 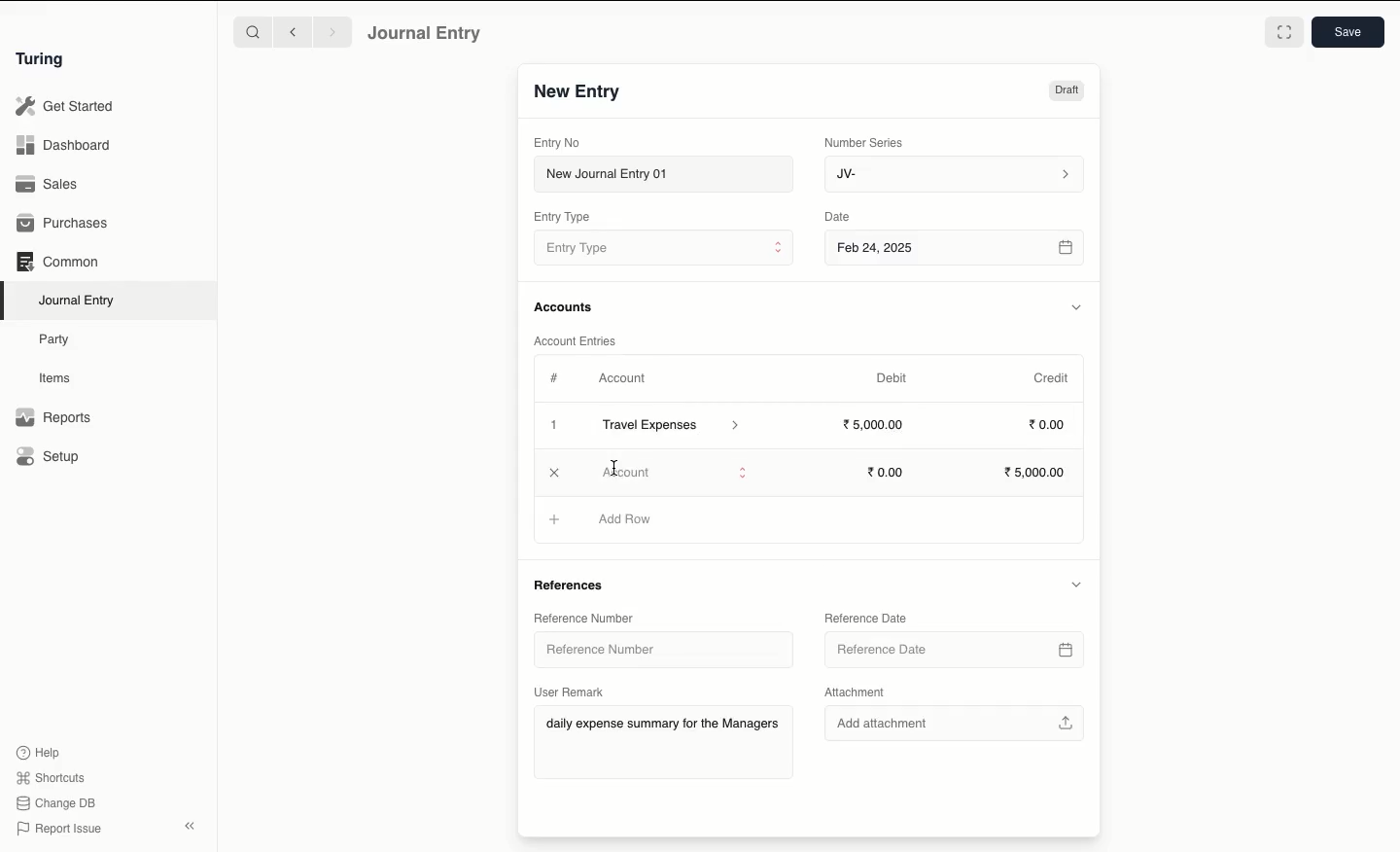 What do you see at coordinates (578, 92) in the screenshot?
I see `New Entry` at bounding box center [578, 92].